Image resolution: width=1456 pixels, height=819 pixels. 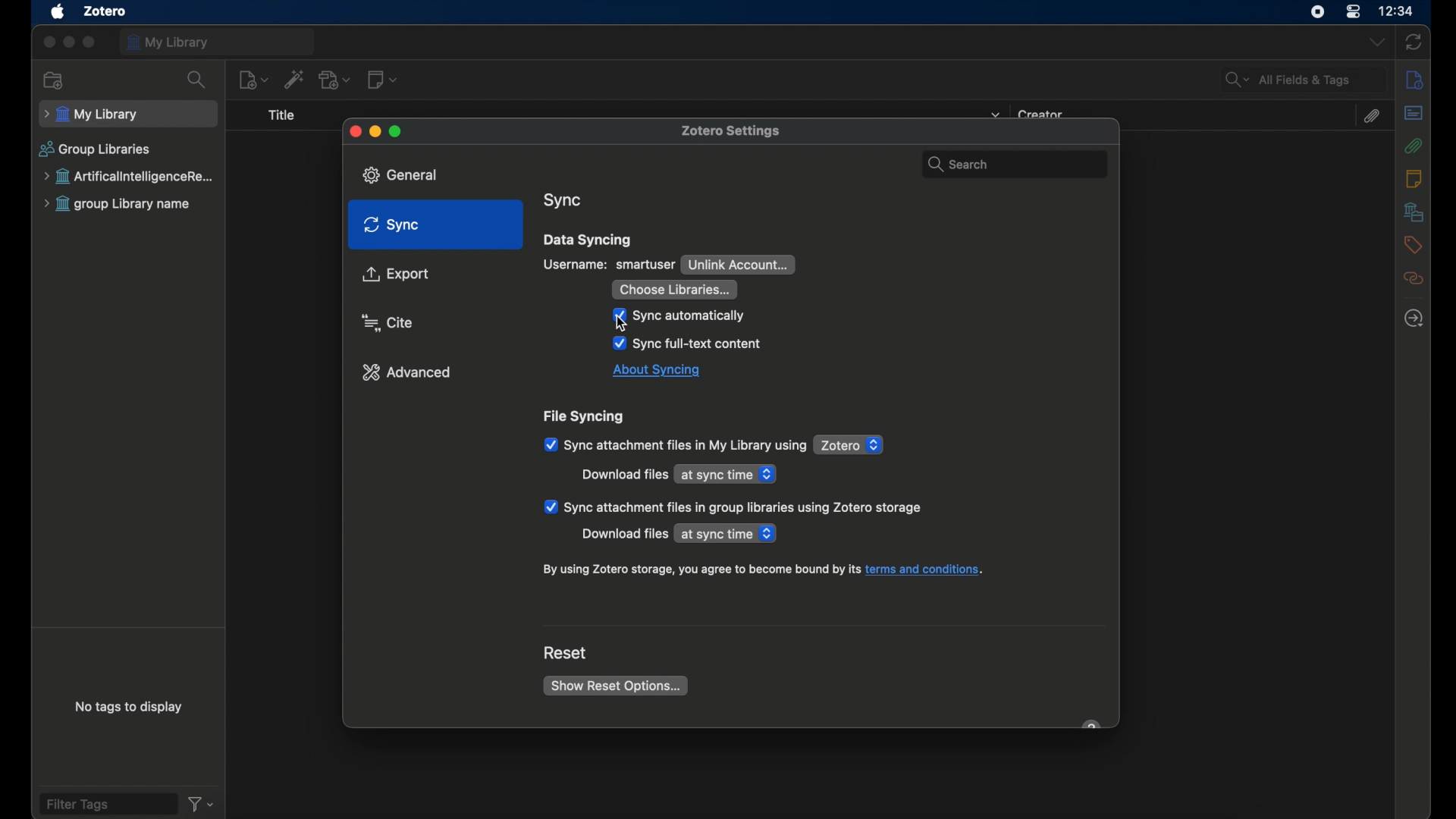 I want to click on dropdown, so click(x=1375, y=43).